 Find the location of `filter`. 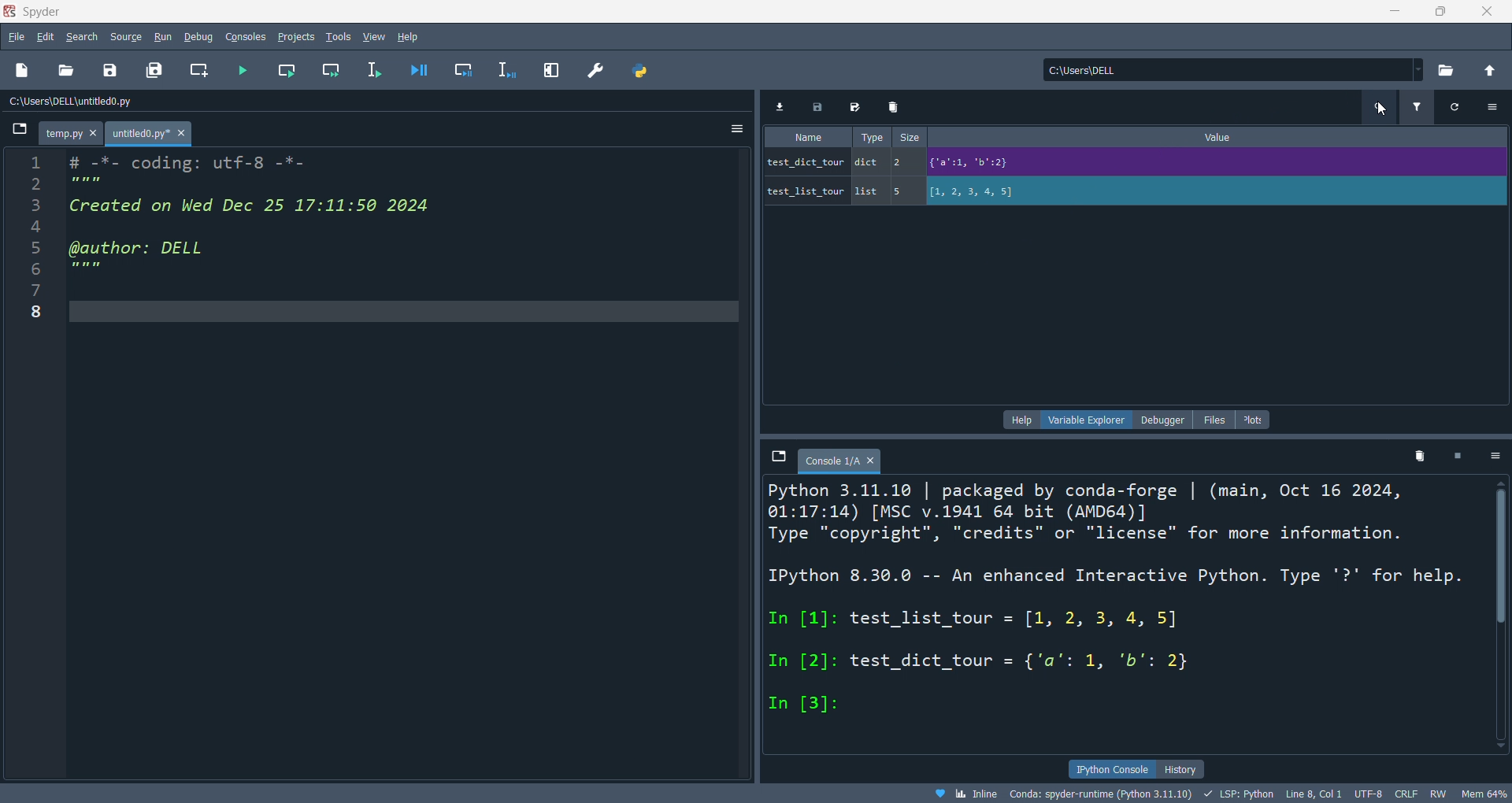

filter is located at coordinates (1411, 109).